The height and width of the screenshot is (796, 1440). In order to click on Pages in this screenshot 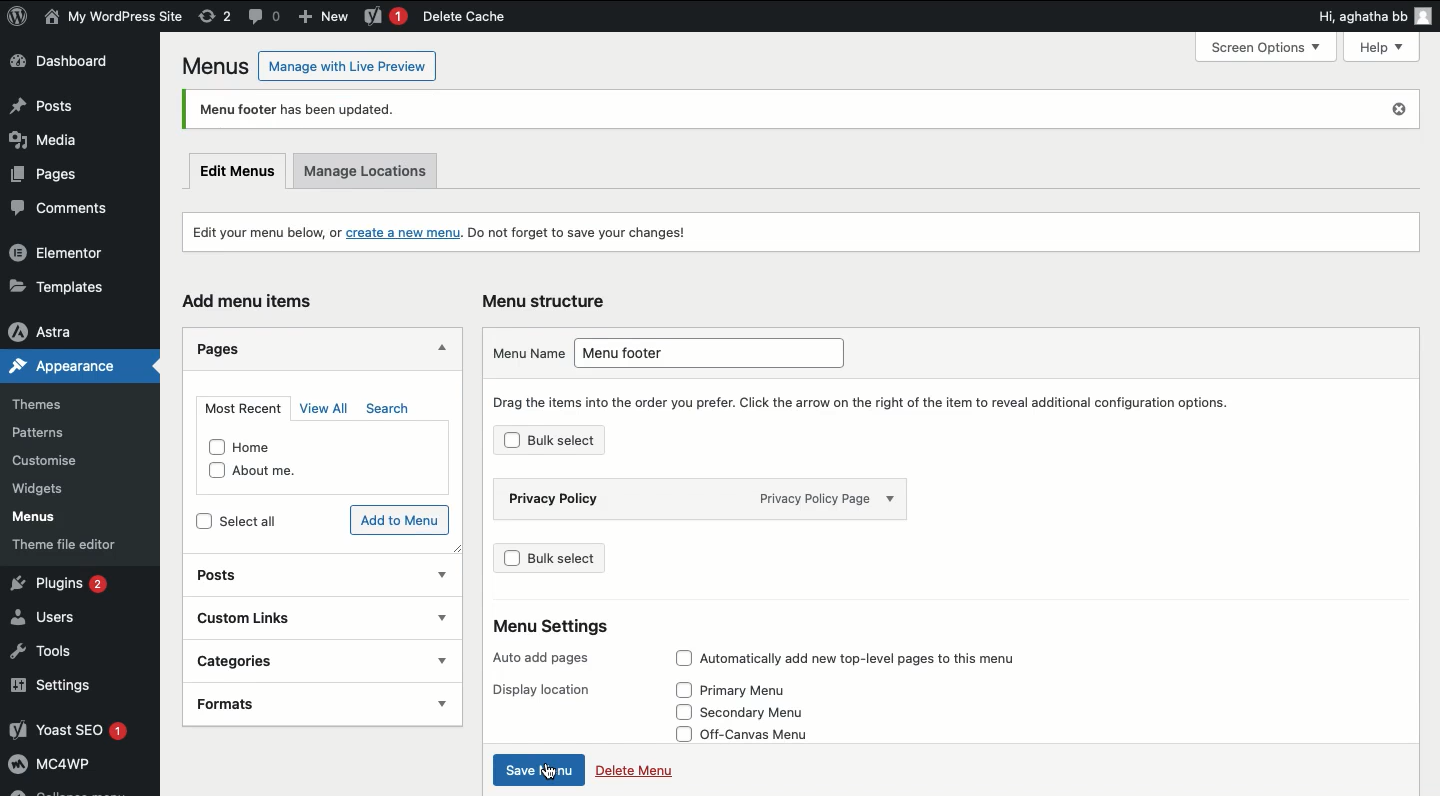, I will do `click(43, 179)`.